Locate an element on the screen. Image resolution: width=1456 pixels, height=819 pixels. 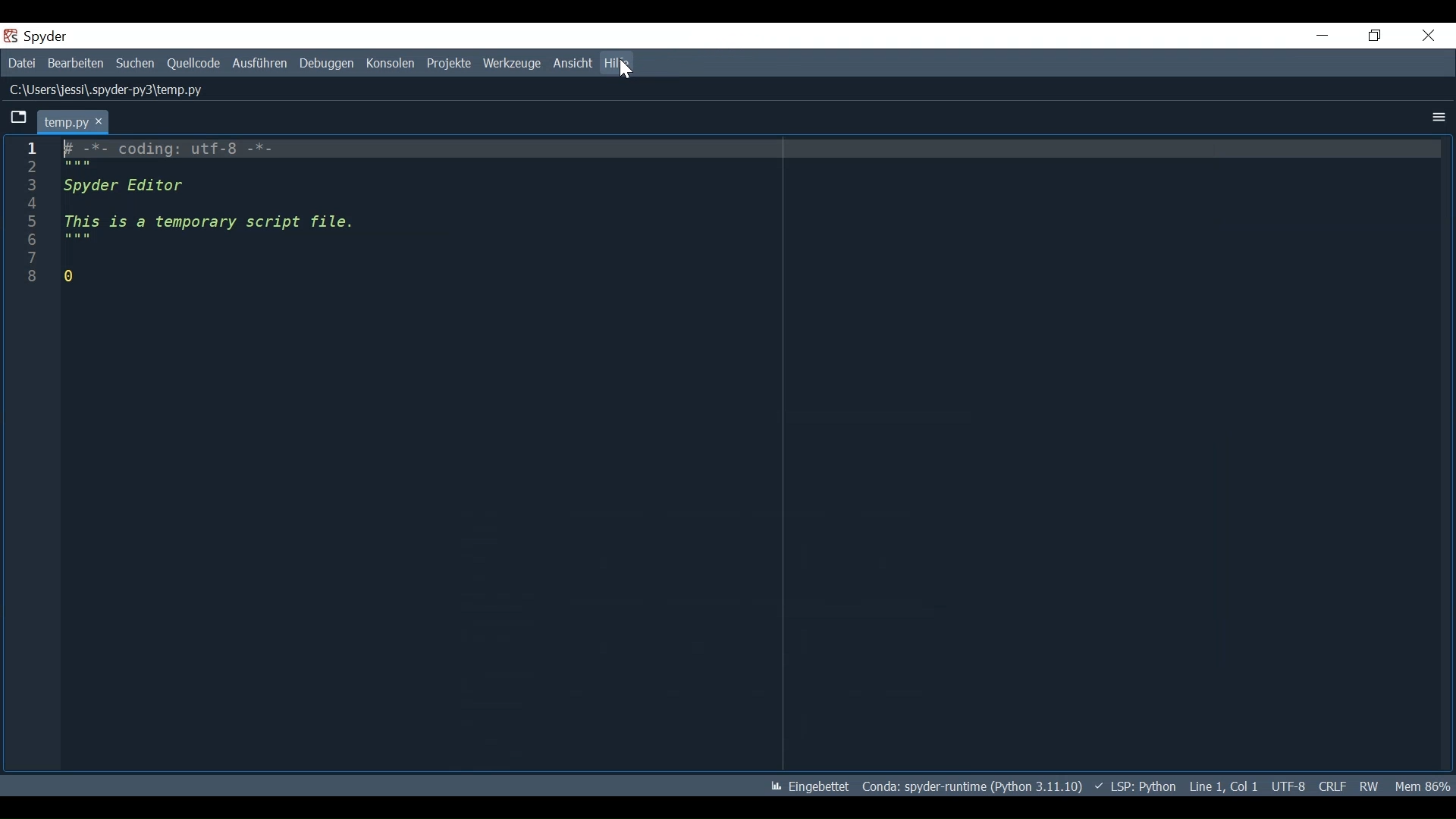
Language is located at coordinates (1136, 786).